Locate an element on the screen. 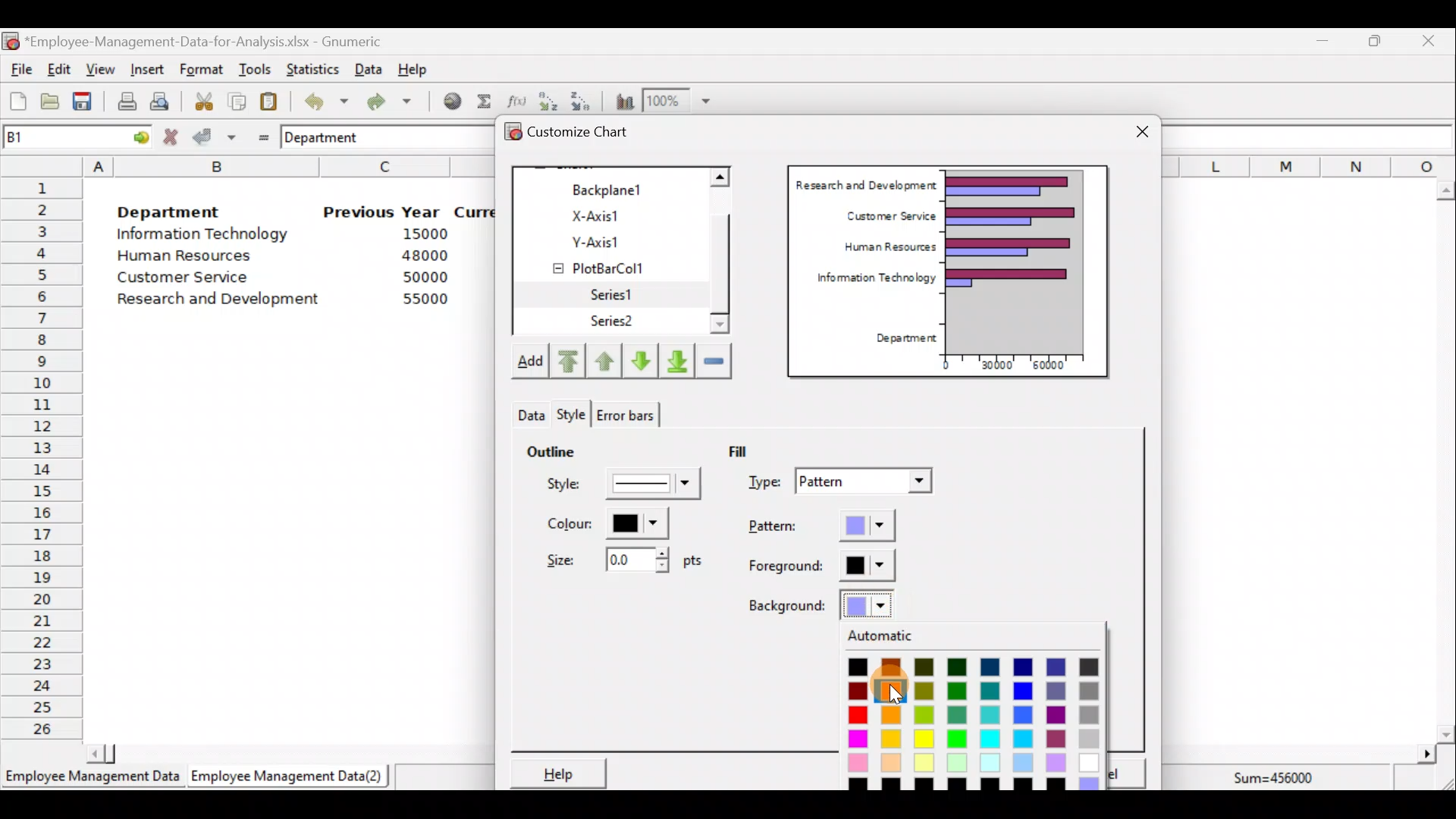 The width and height of the screenshot is (1456, 819). Customer Service is located at coordinates (887, 214).